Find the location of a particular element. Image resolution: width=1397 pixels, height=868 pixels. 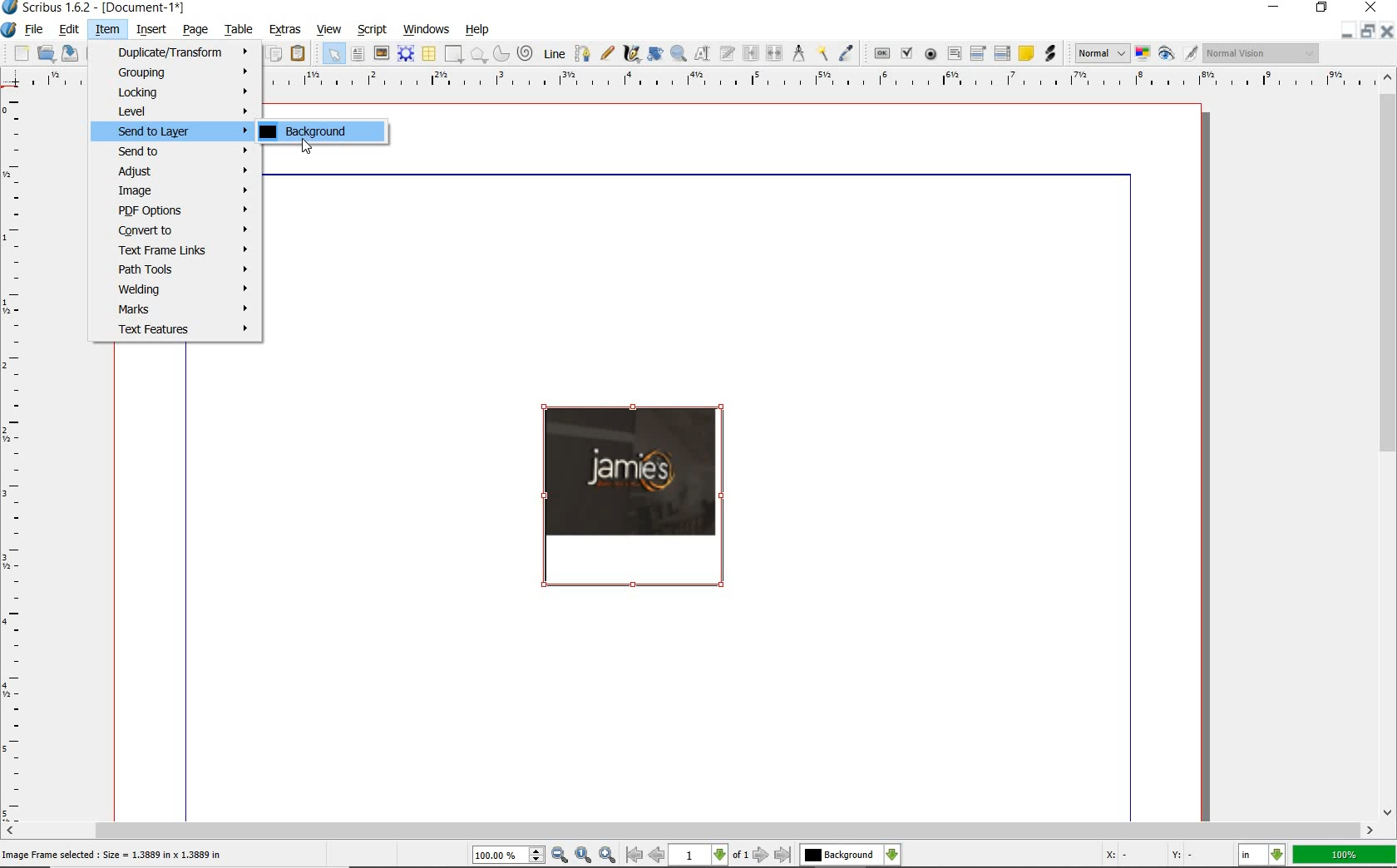

Adjust is located at coordinates (175, 171).